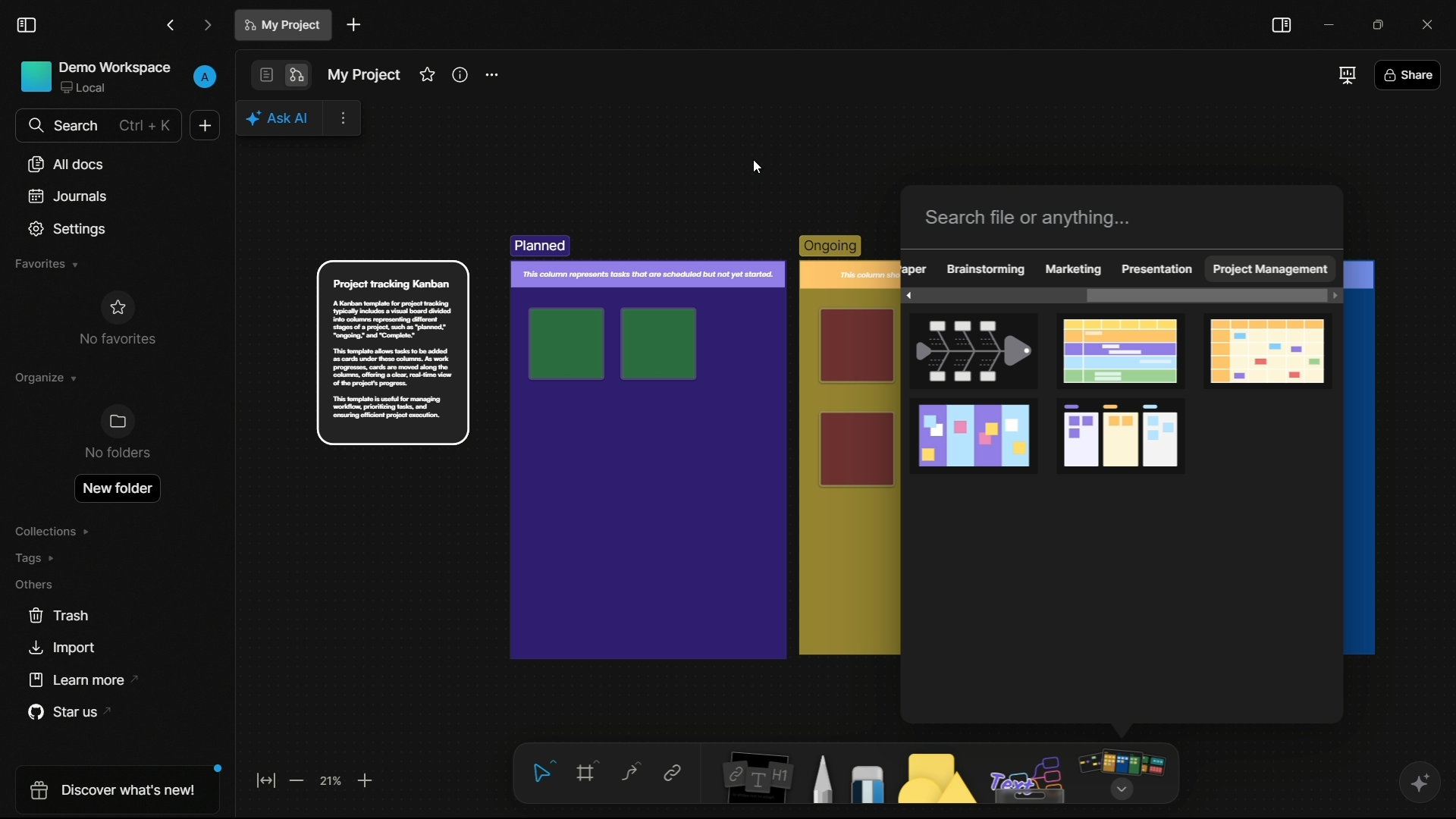 The width and height of the screenshot is (1456, 819). What do you see at coordinates (265, 780) in the screenshot?
I see `fit to screen` at bounding box center [265, 780].